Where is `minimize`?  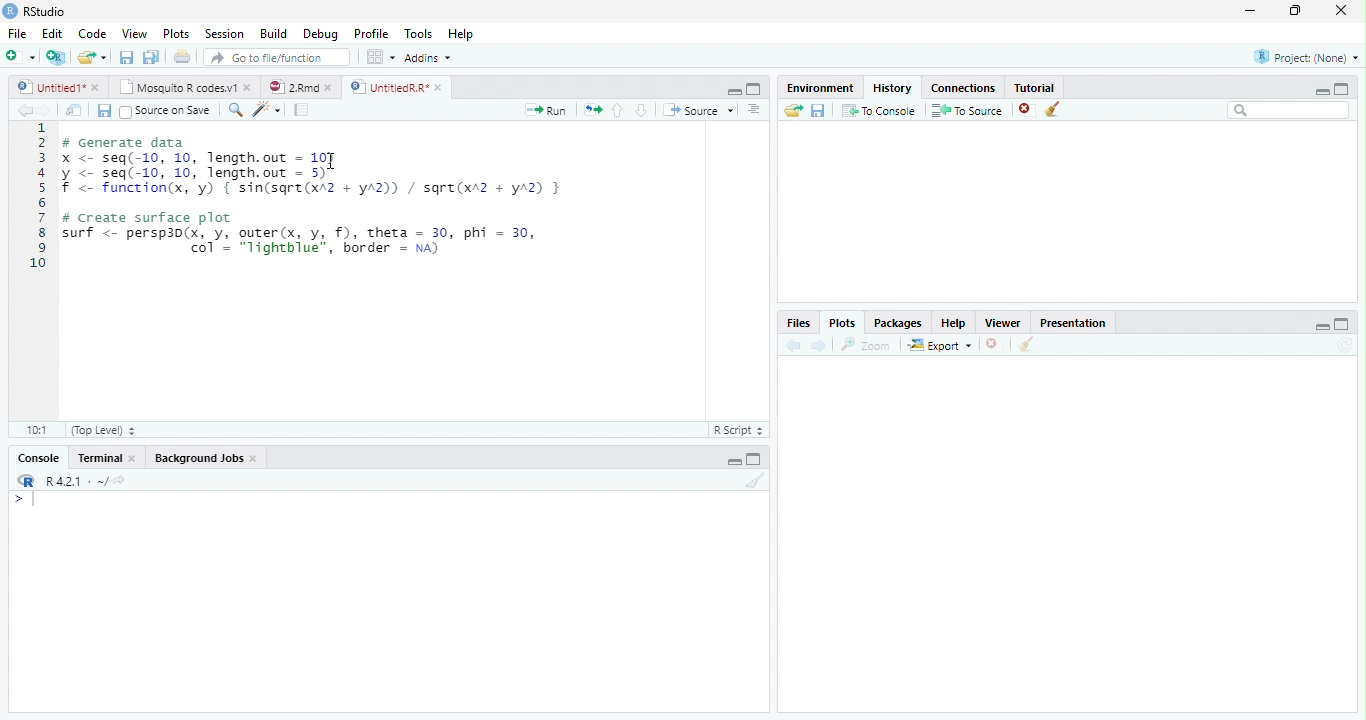 minimize is located at coordinates (1250, 10).